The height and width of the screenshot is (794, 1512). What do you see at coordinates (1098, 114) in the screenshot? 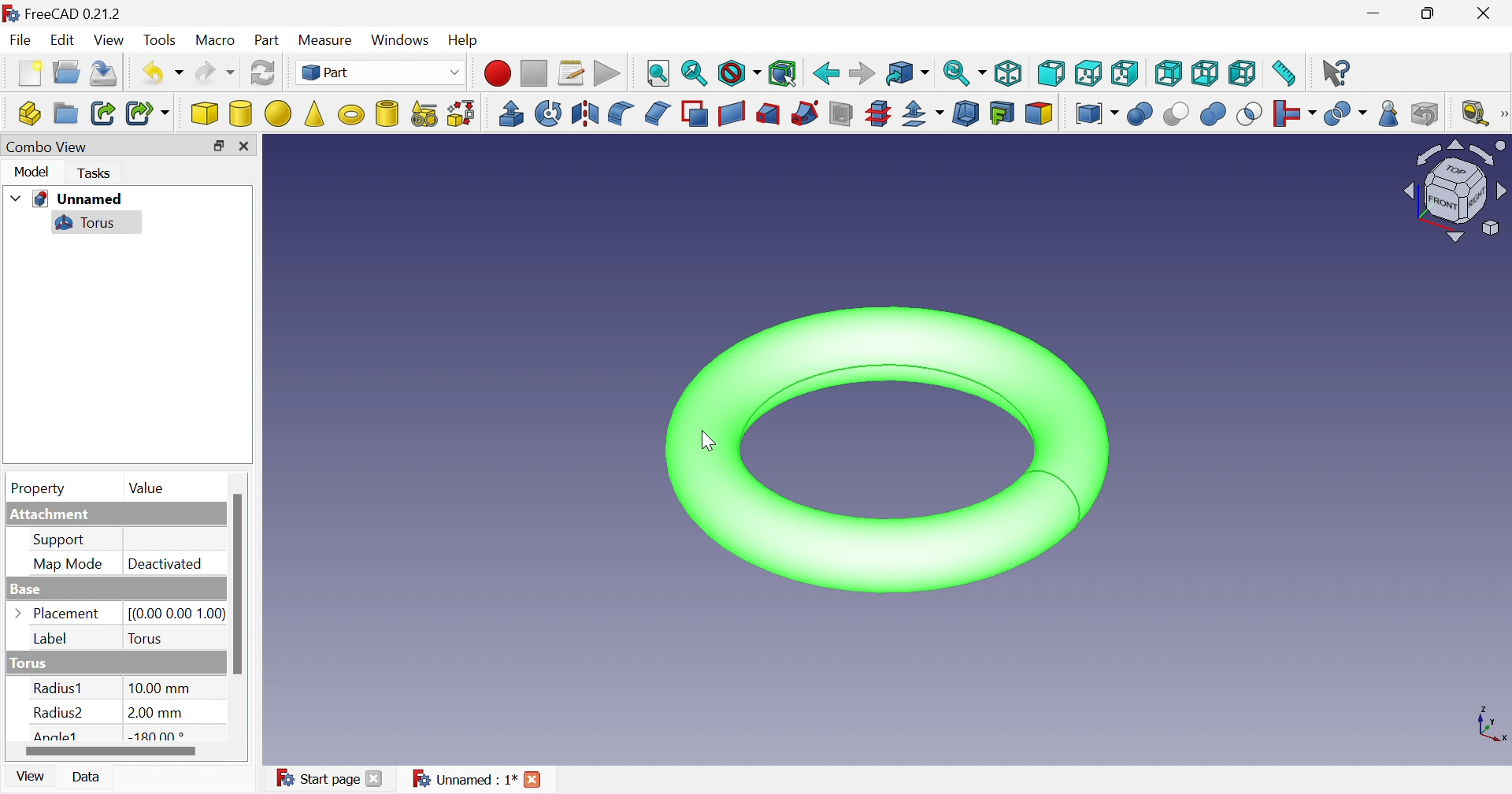
I see `Compound tools` at bounding box center [1098, 114].